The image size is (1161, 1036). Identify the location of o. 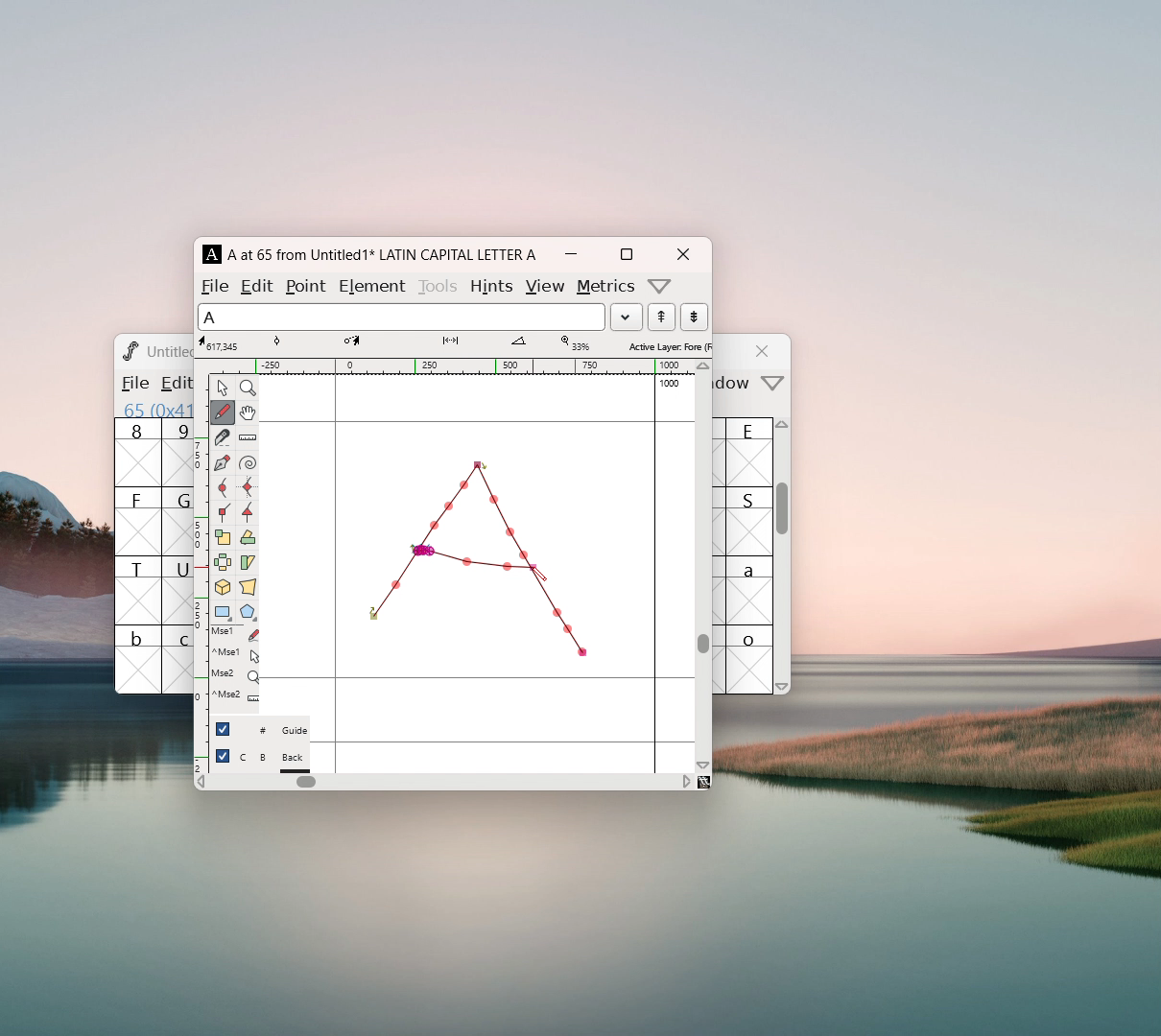
(751, 659).